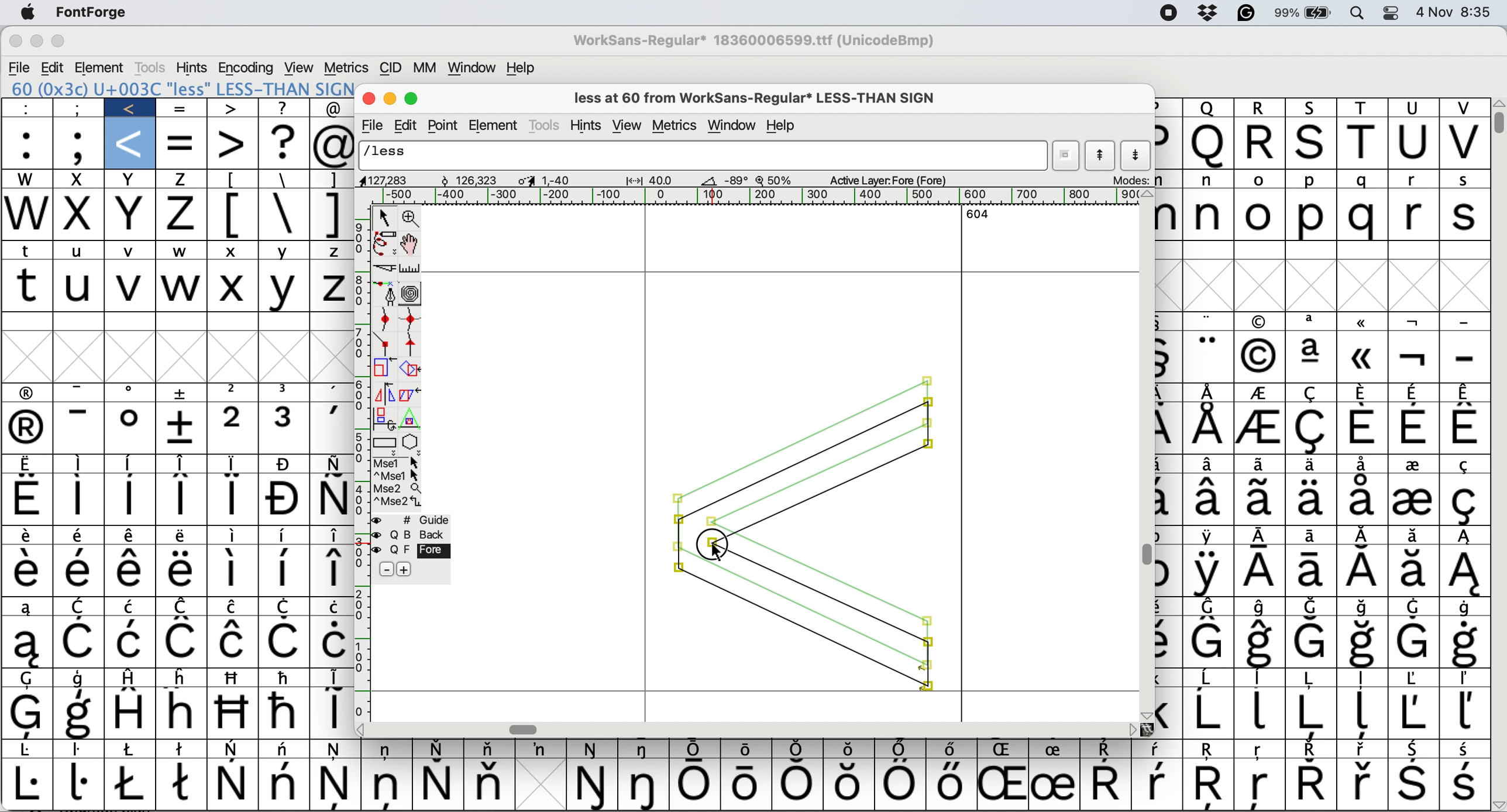  I want to click on close, so click(369, 100).